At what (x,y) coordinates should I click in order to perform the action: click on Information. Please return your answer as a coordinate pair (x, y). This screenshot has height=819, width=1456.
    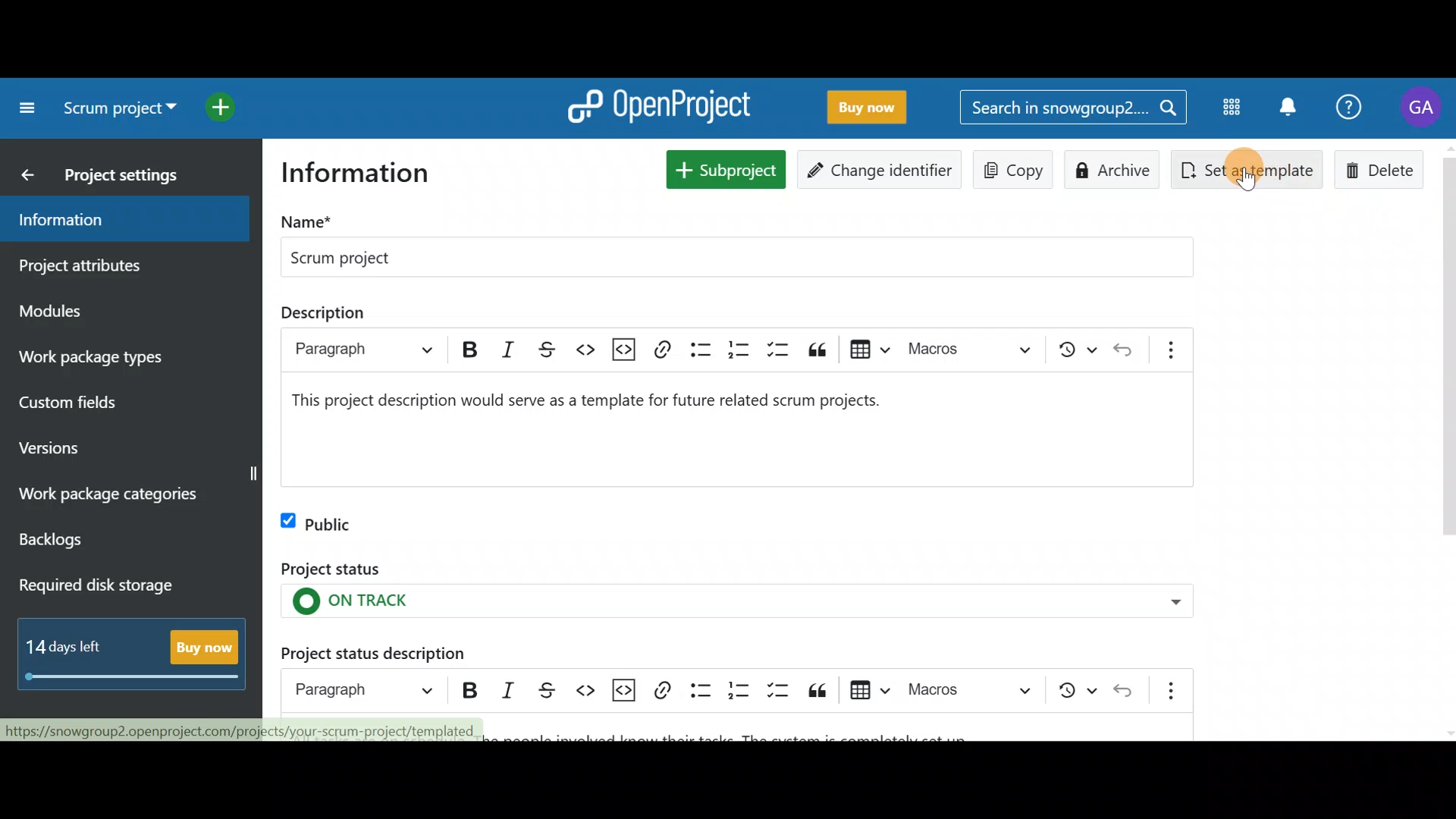
    Looking at the image, I should click on (118, 219).